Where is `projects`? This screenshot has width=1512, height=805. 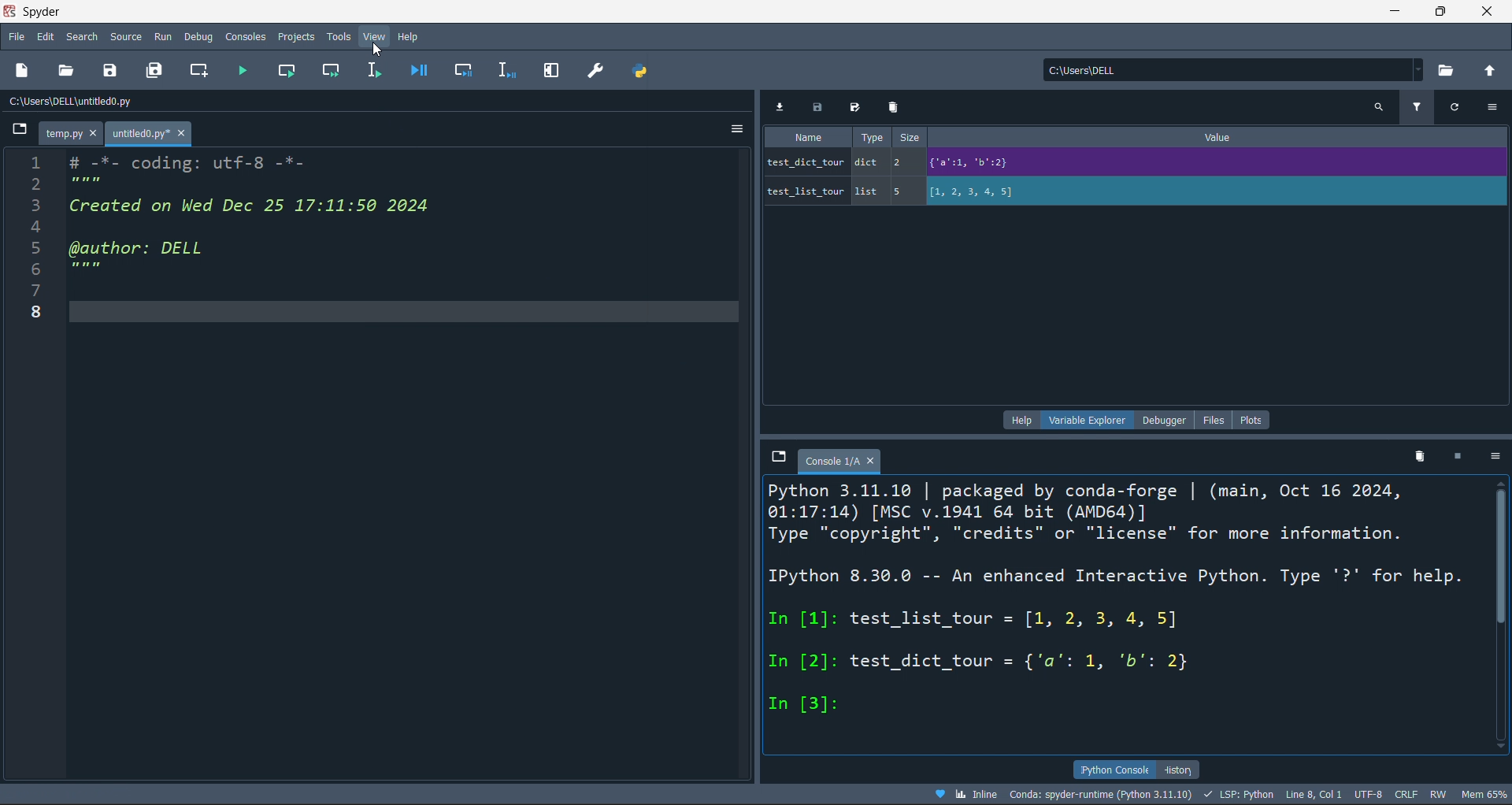
projects is located at coordinates (296, 36).